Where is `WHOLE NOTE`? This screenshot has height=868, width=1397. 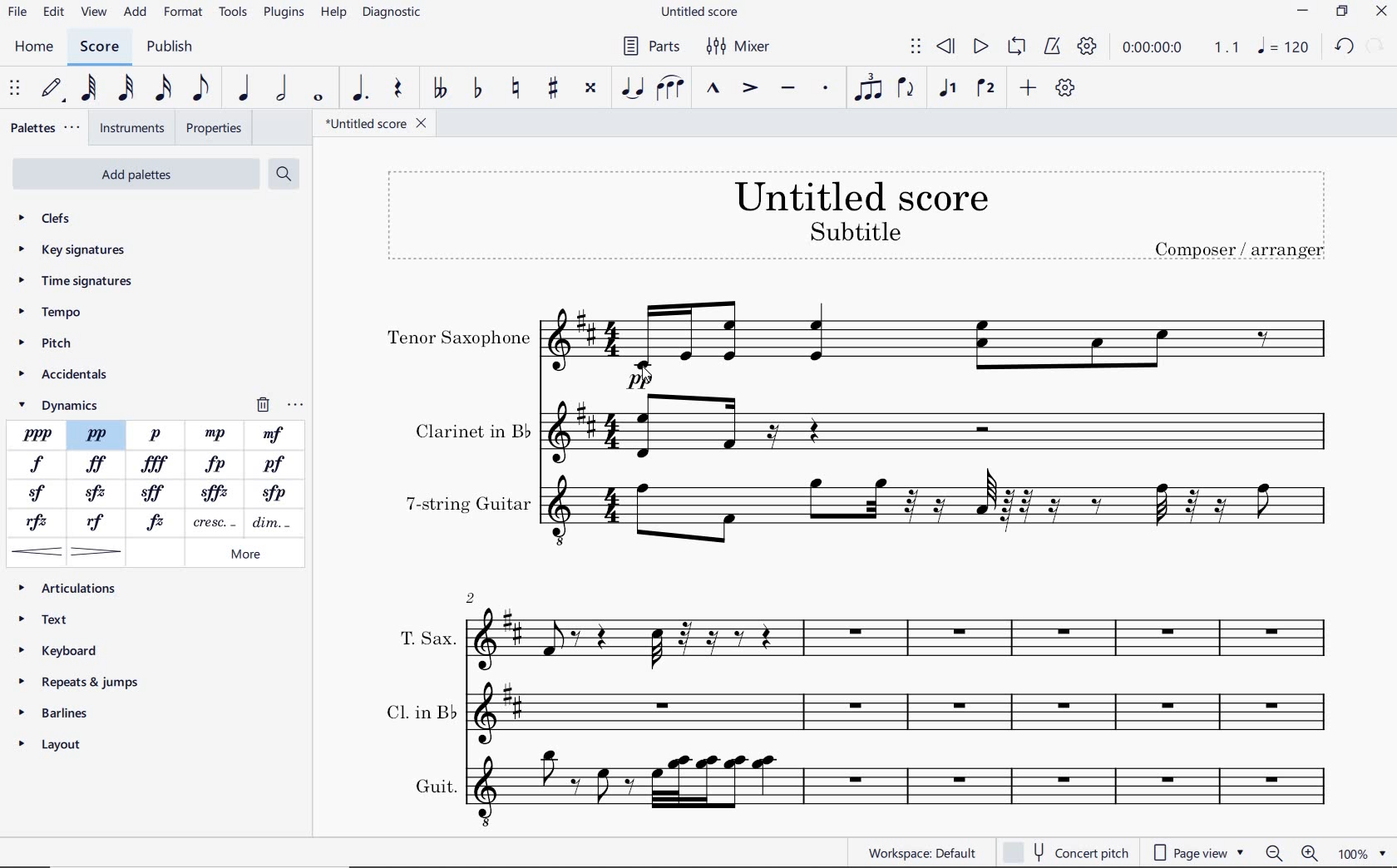
WHOLE NOTE is located at coordinates (321, 96).